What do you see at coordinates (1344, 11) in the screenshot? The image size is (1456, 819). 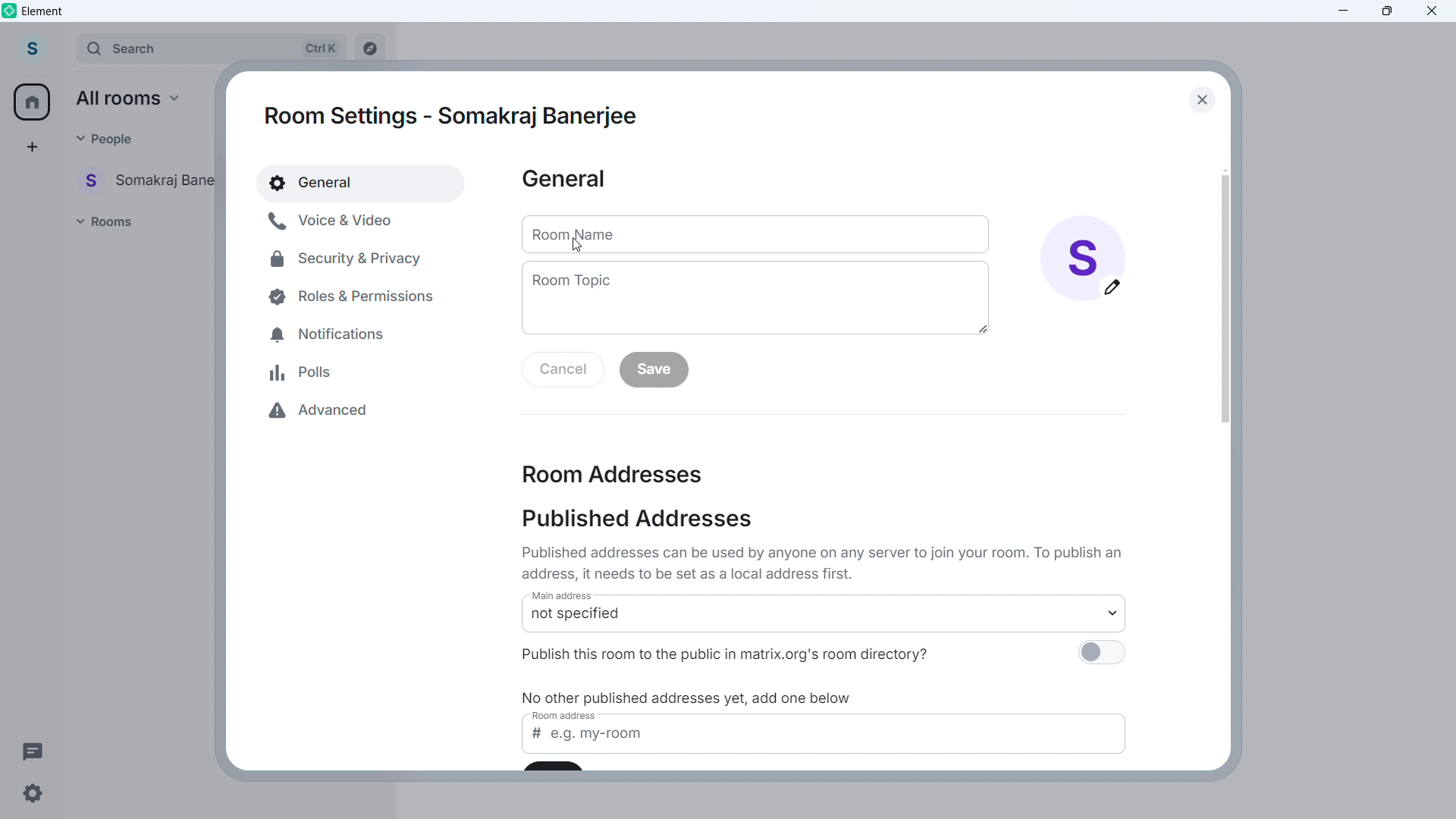 I see `minimize` at bounding box center [1344, 11].